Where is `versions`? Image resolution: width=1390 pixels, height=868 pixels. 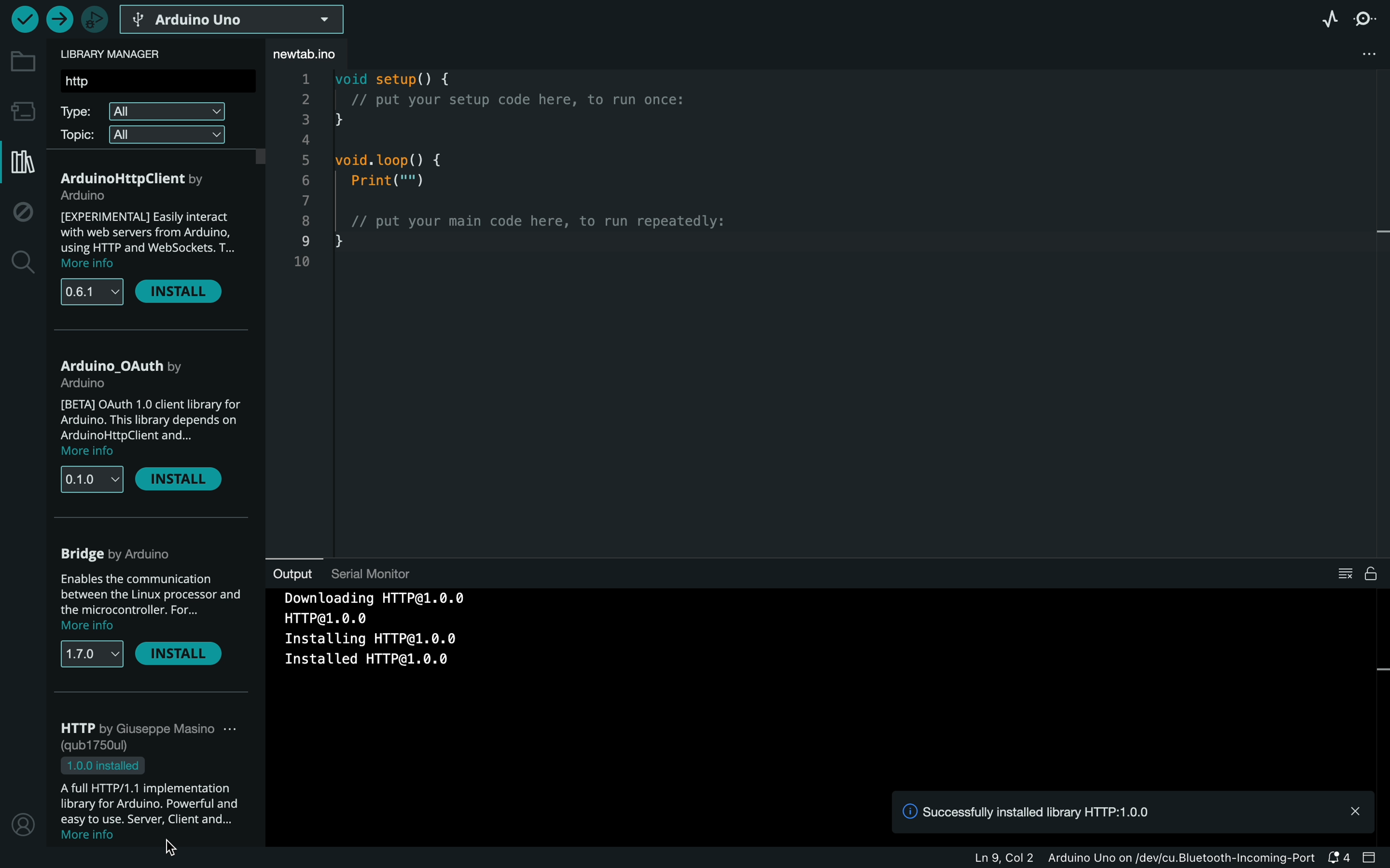 versions is located at coordinates (91, 288).